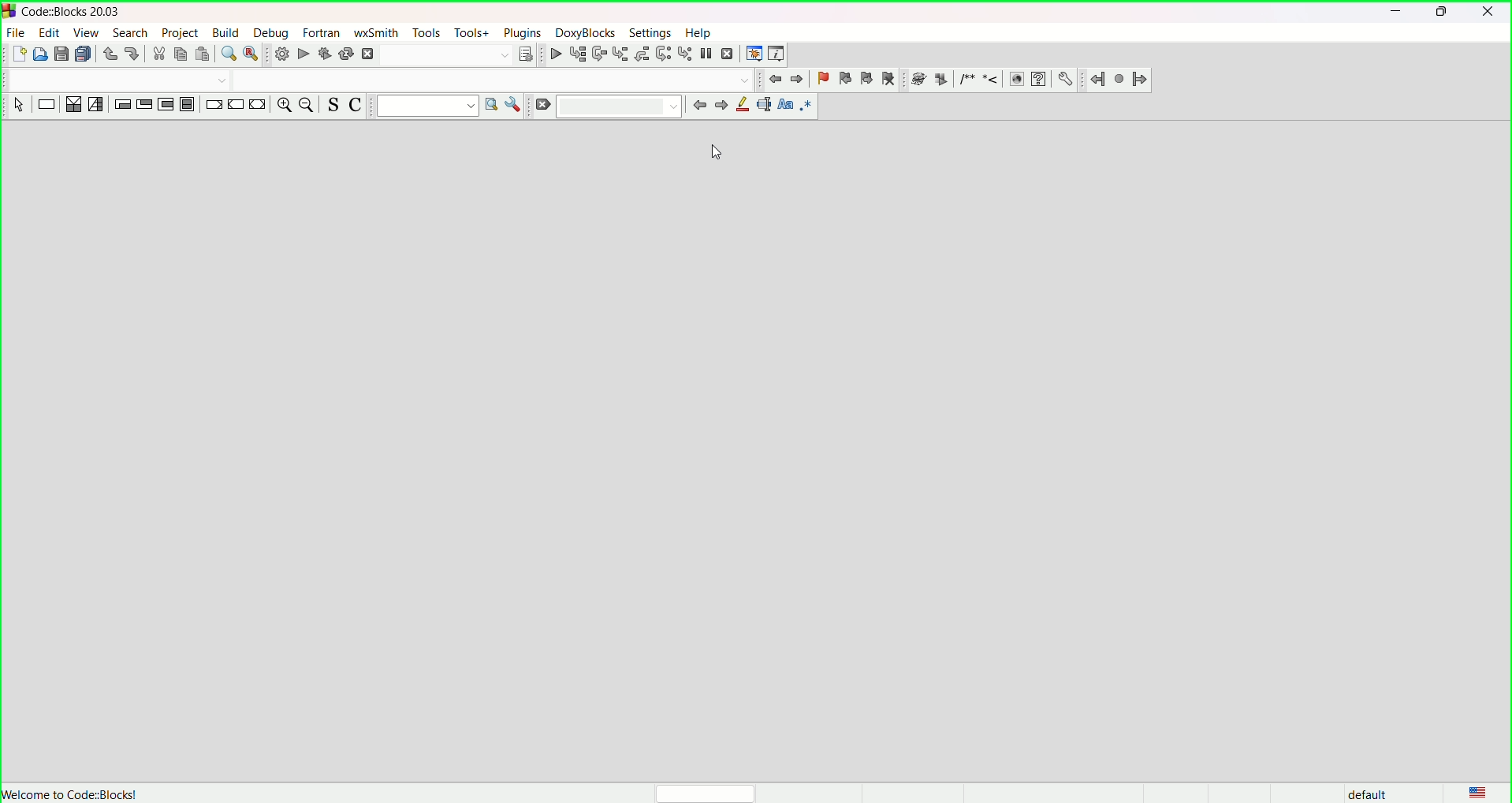  What do you see at coordinates (44, 106) in the screenshot?
I see `instruction` at bounding box center [44, 106].